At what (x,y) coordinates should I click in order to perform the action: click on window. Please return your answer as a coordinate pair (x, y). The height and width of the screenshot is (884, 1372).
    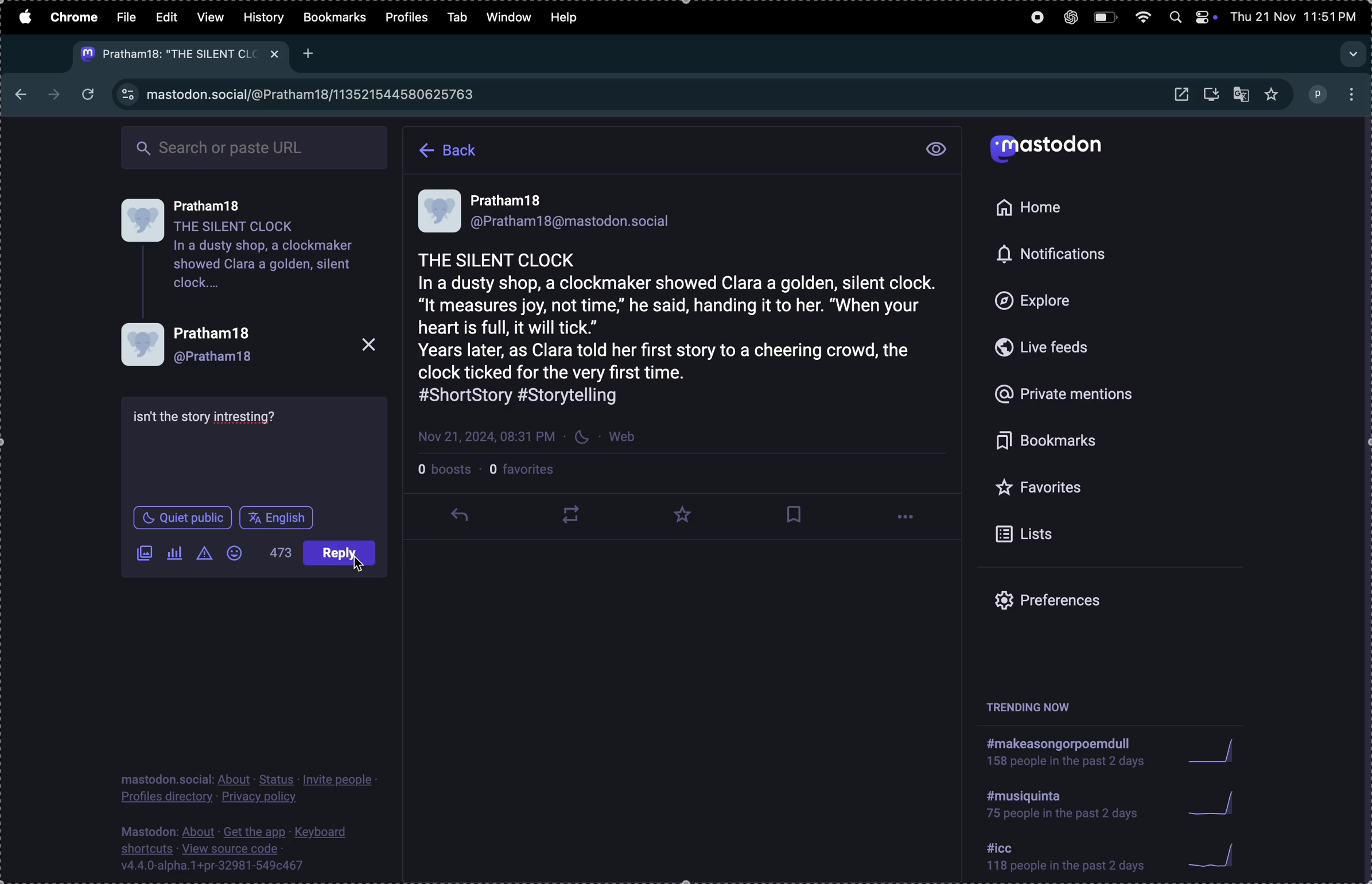
    Looking at the image, I should click on (510, 17).